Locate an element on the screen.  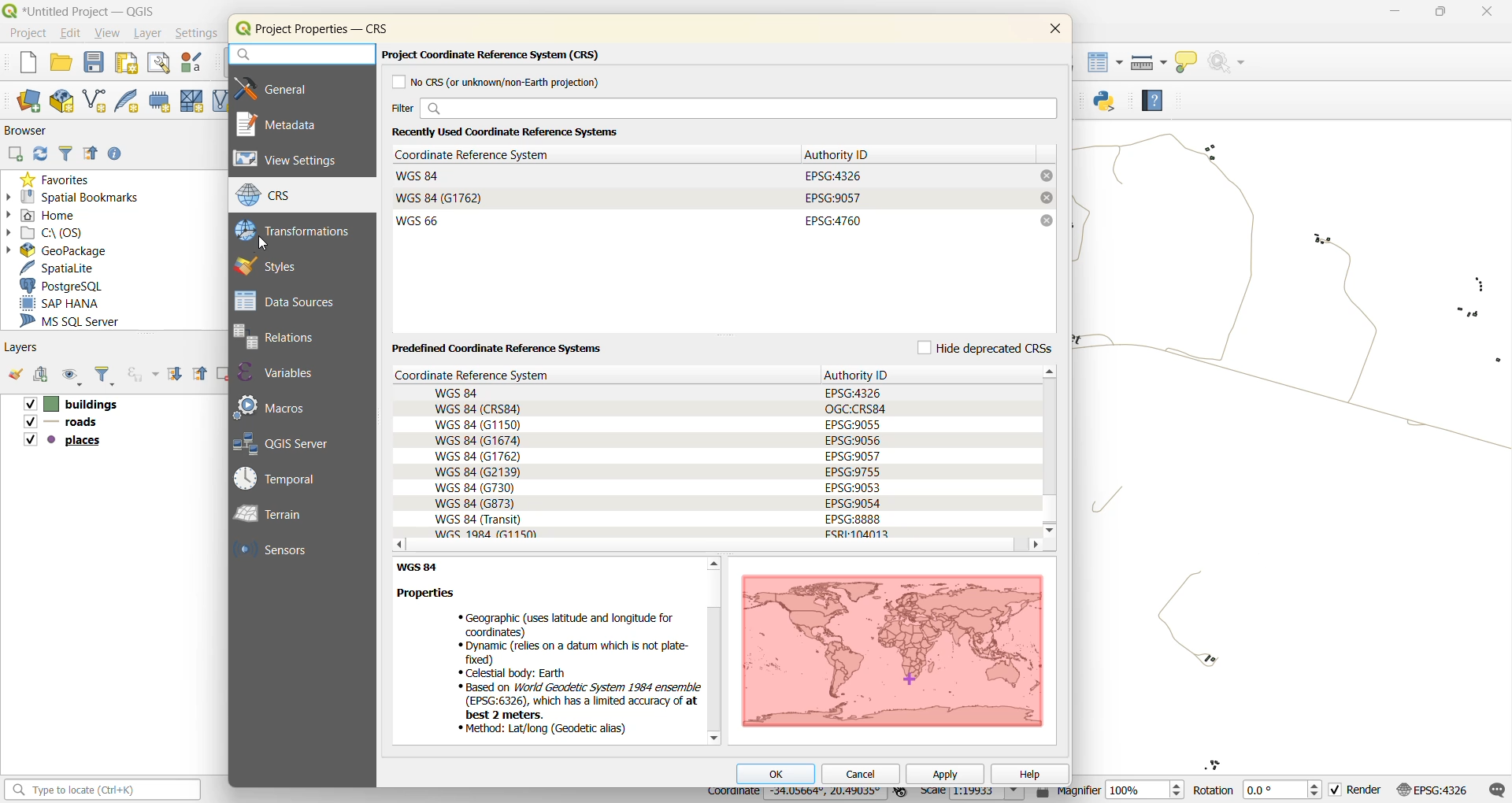
postgresql is located at coordinates (66, 287).